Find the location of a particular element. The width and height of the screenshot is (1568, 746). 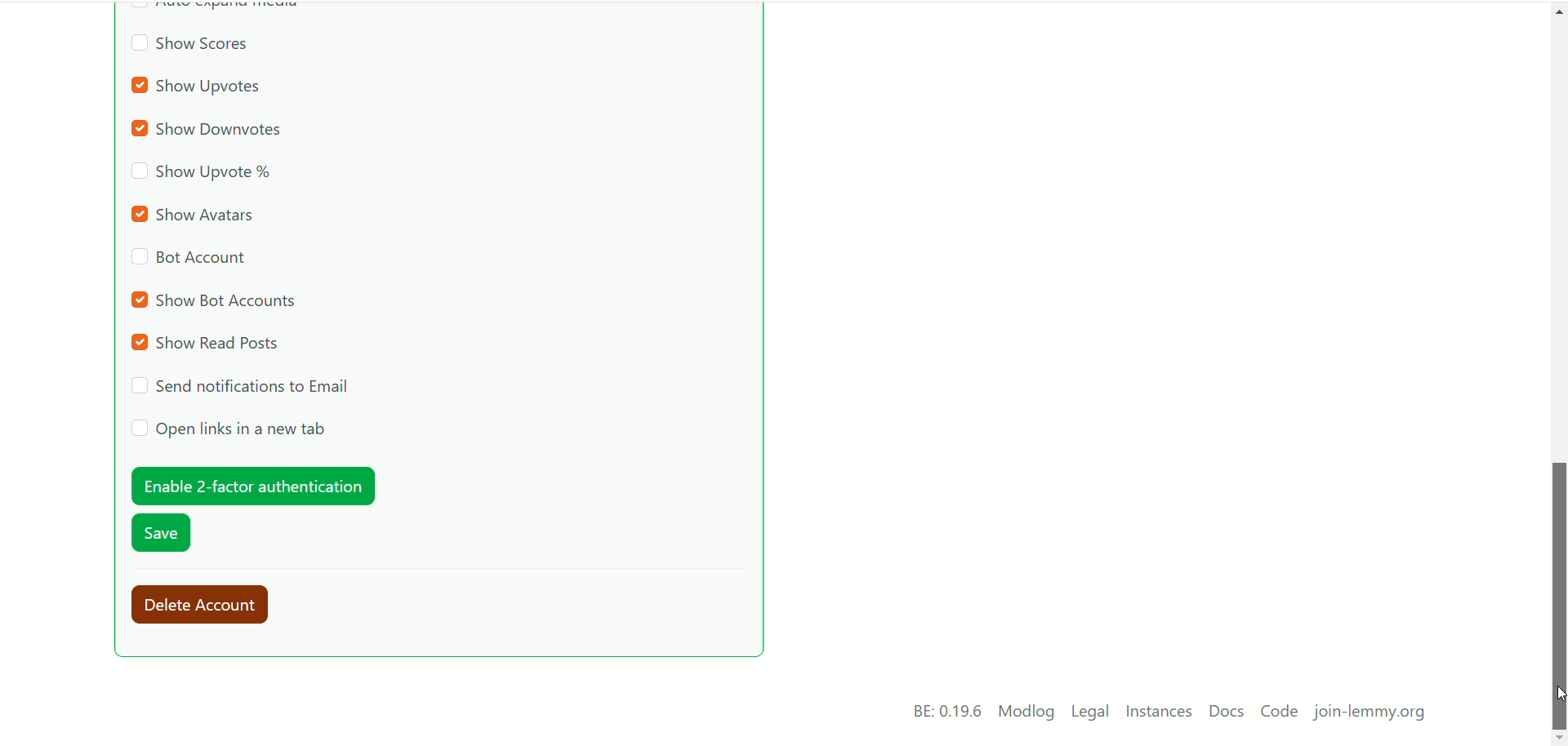

show upvotes is located at coordinates (199, 87).